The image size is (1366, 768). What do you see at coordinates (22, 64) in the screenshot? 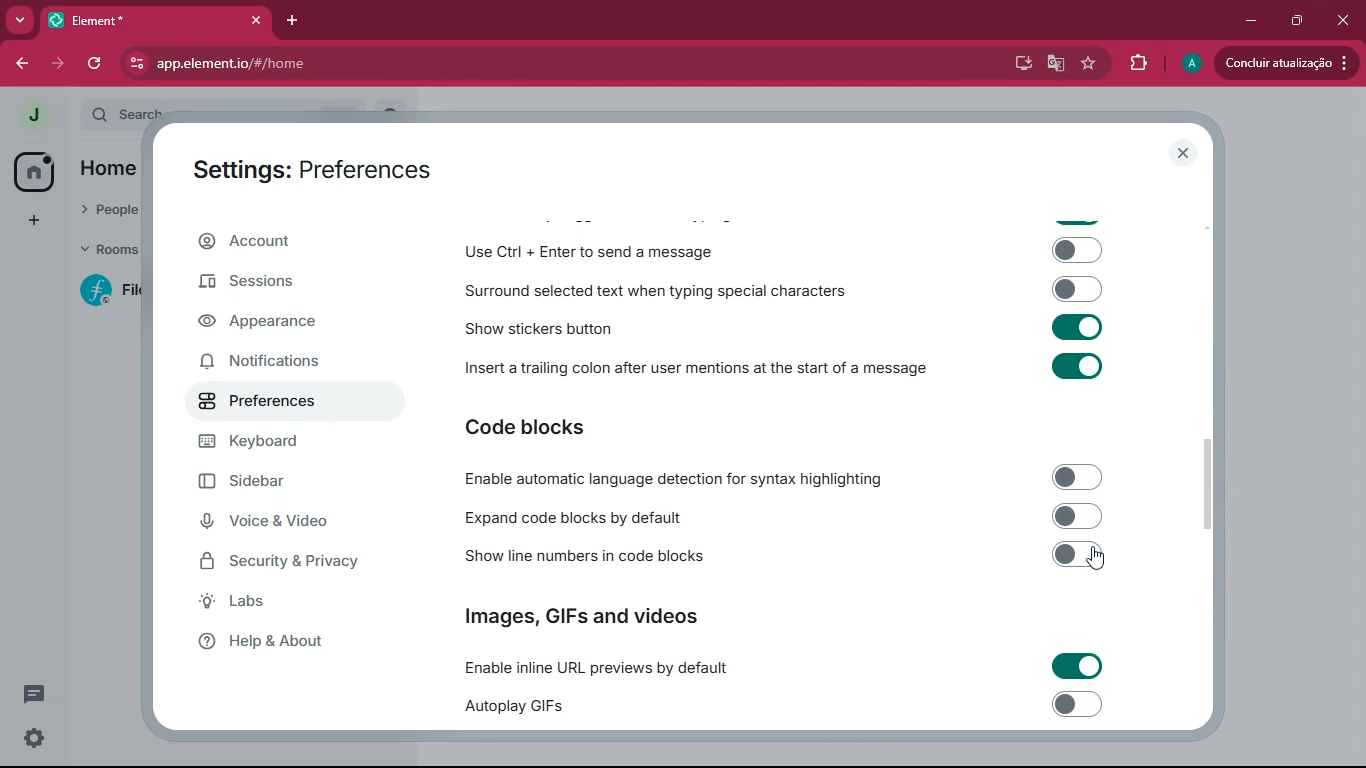
I see `back` at bounding box center [22, 64].